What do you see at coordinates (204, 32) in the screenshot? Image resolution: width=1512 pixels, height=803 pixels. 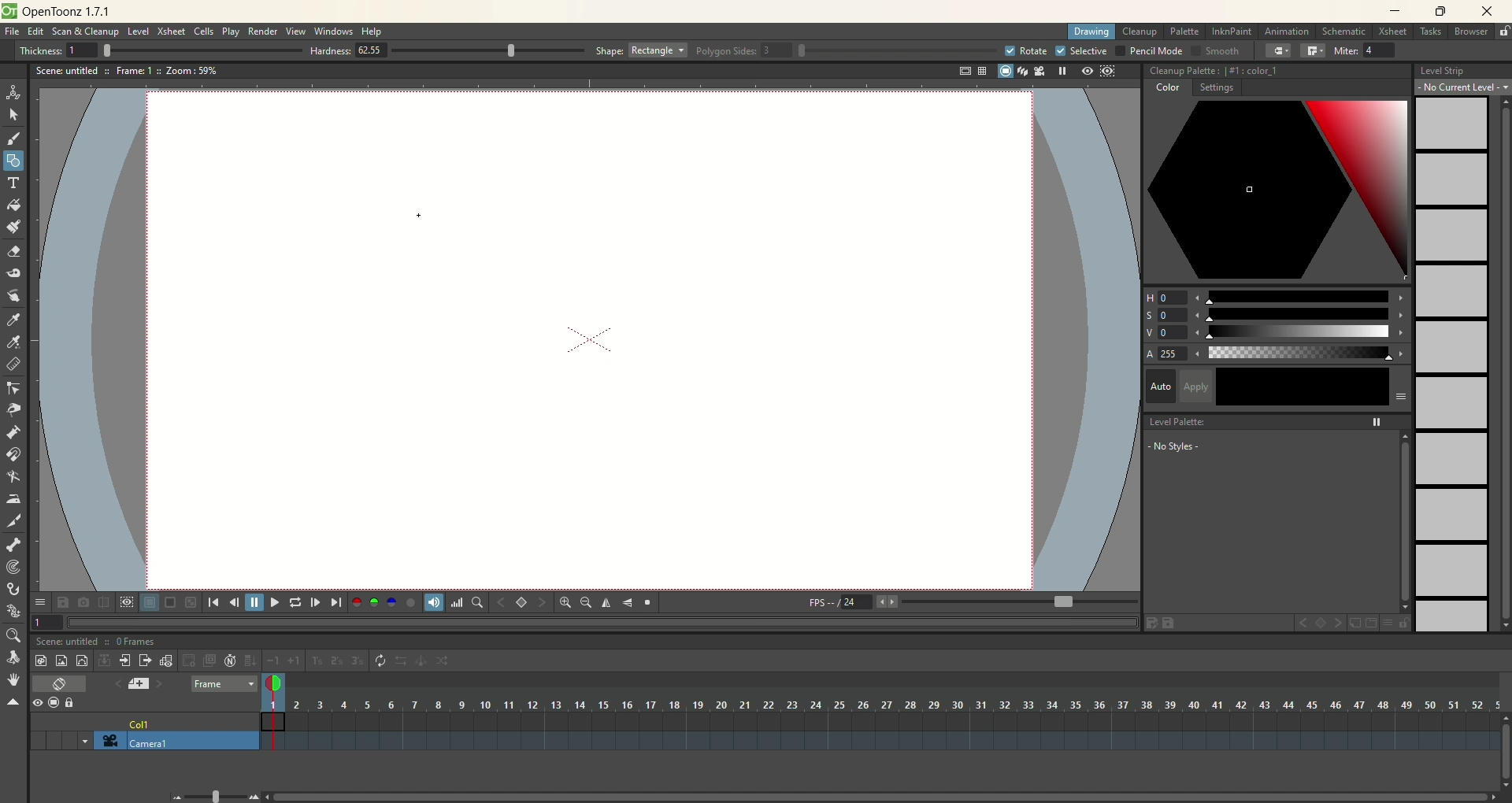 I see `cells` at bounding box center [204, 32].